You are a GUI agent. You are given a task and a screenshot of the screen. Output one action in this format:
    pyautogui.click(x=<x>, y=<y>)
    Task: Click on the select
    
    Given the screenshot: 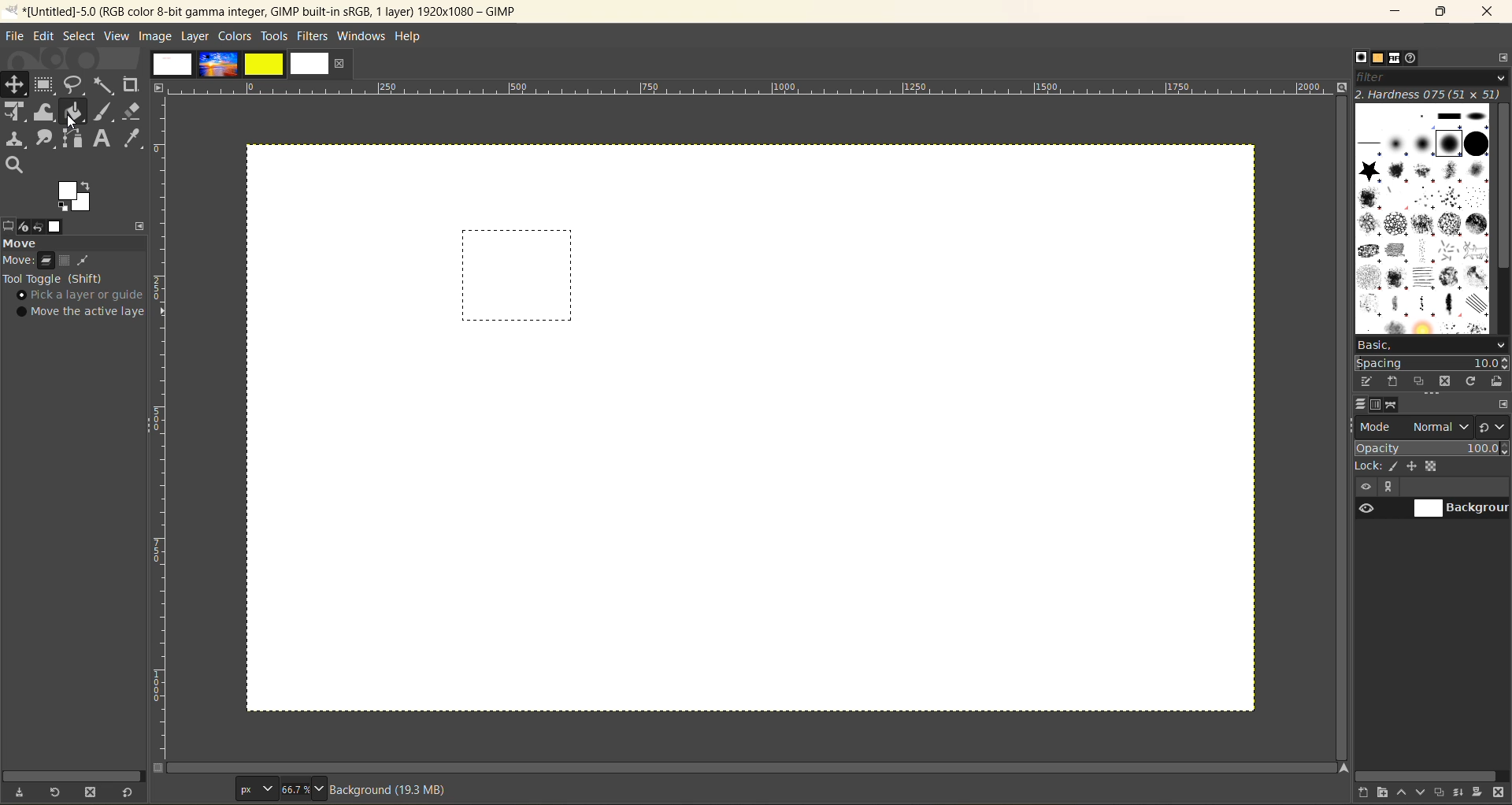 What is the action you would take?
    pyautogui.click(x=83, y=38)
    